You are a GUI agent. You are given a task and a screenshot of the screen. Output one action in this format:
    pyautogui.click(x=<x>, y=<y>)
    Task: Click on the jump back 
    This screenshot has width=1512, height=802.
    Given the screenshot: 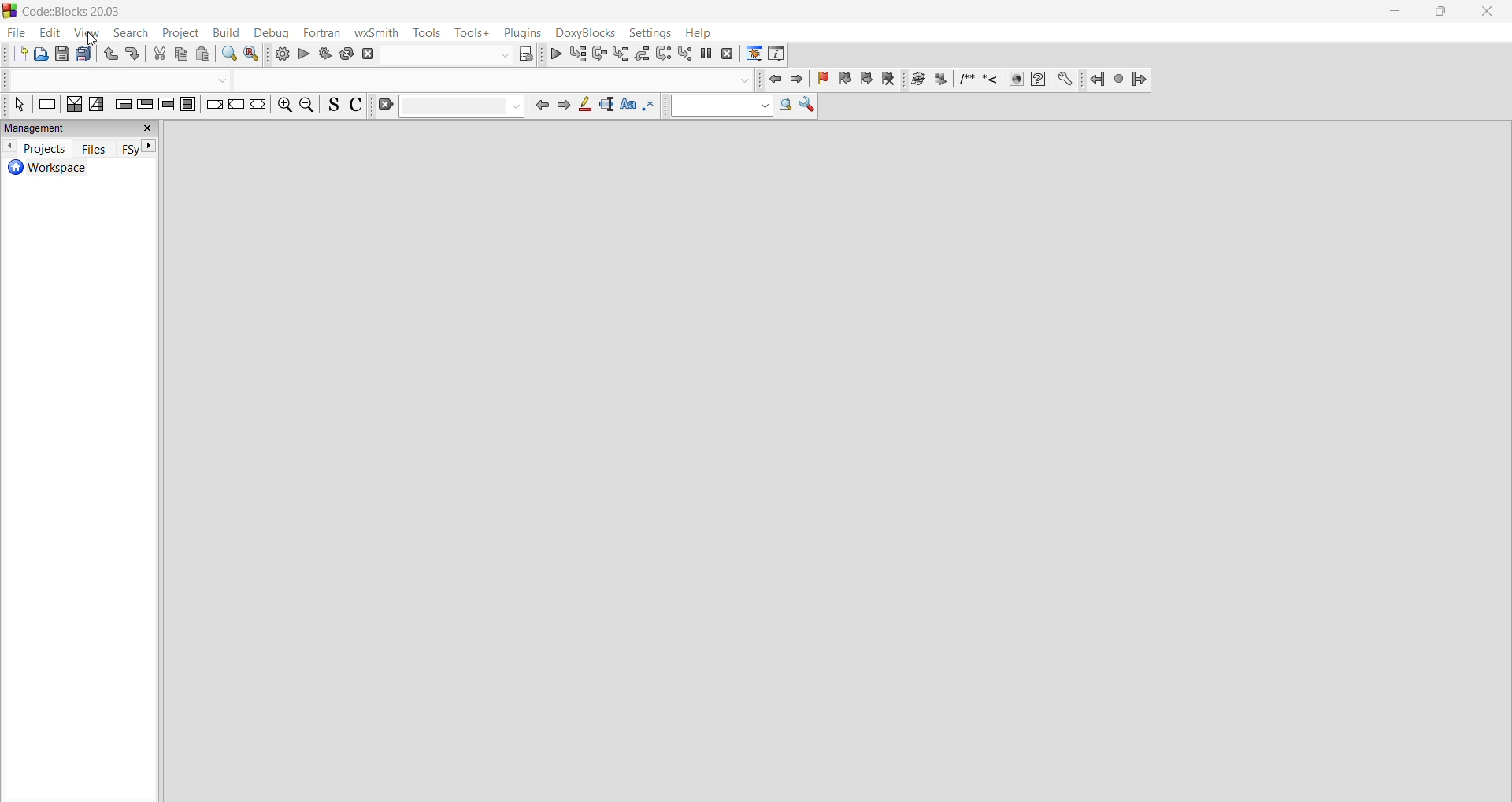 What is the action you would take?
    pyautogui.click(x=775, y=77)
    